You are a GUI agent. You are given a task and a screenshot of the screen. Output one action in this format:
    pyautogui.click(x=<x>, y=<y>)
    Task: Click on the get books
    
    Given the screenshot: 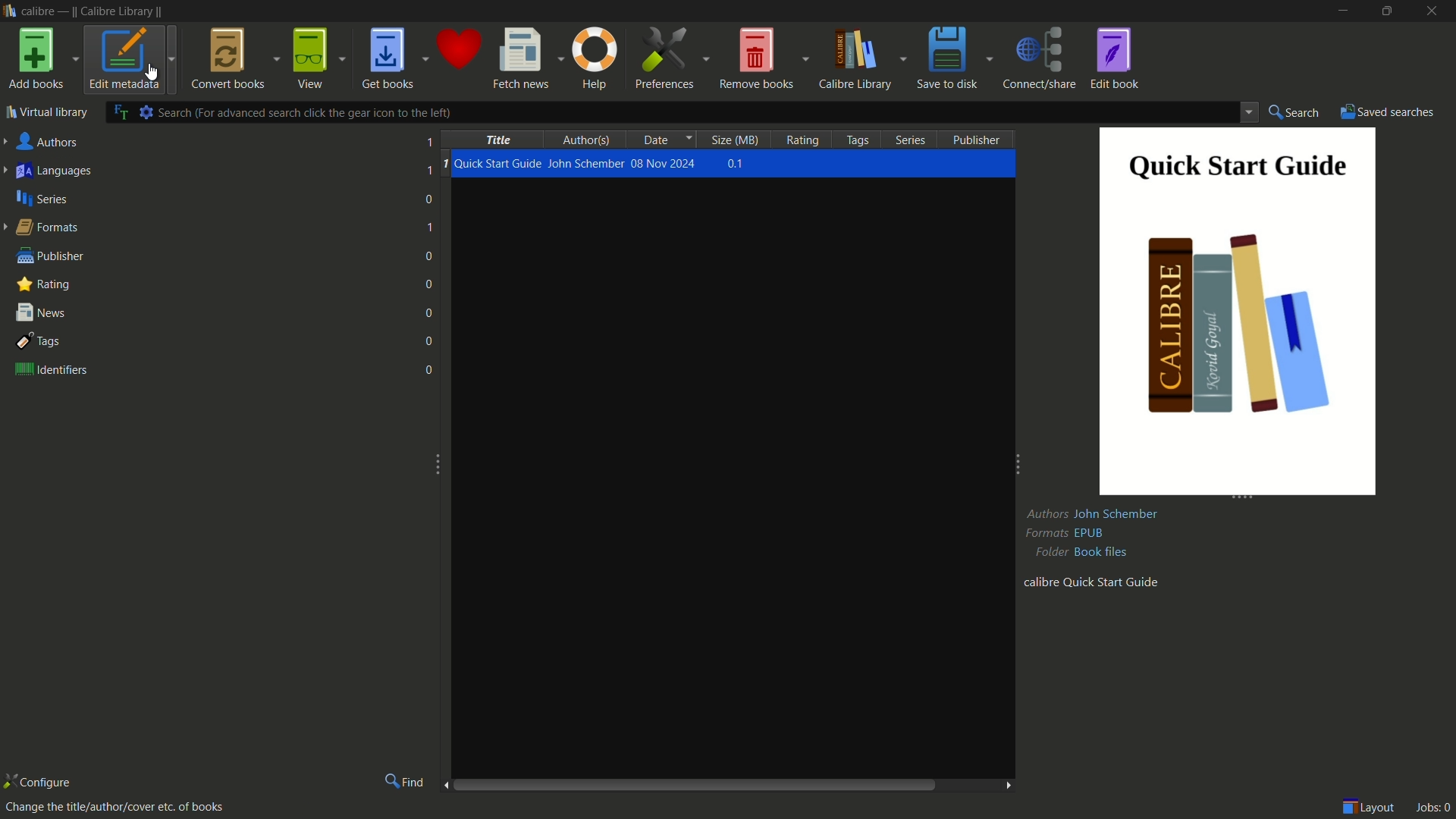 What is the action you would take?
    pyautogui.click(x=396, y=58)
    